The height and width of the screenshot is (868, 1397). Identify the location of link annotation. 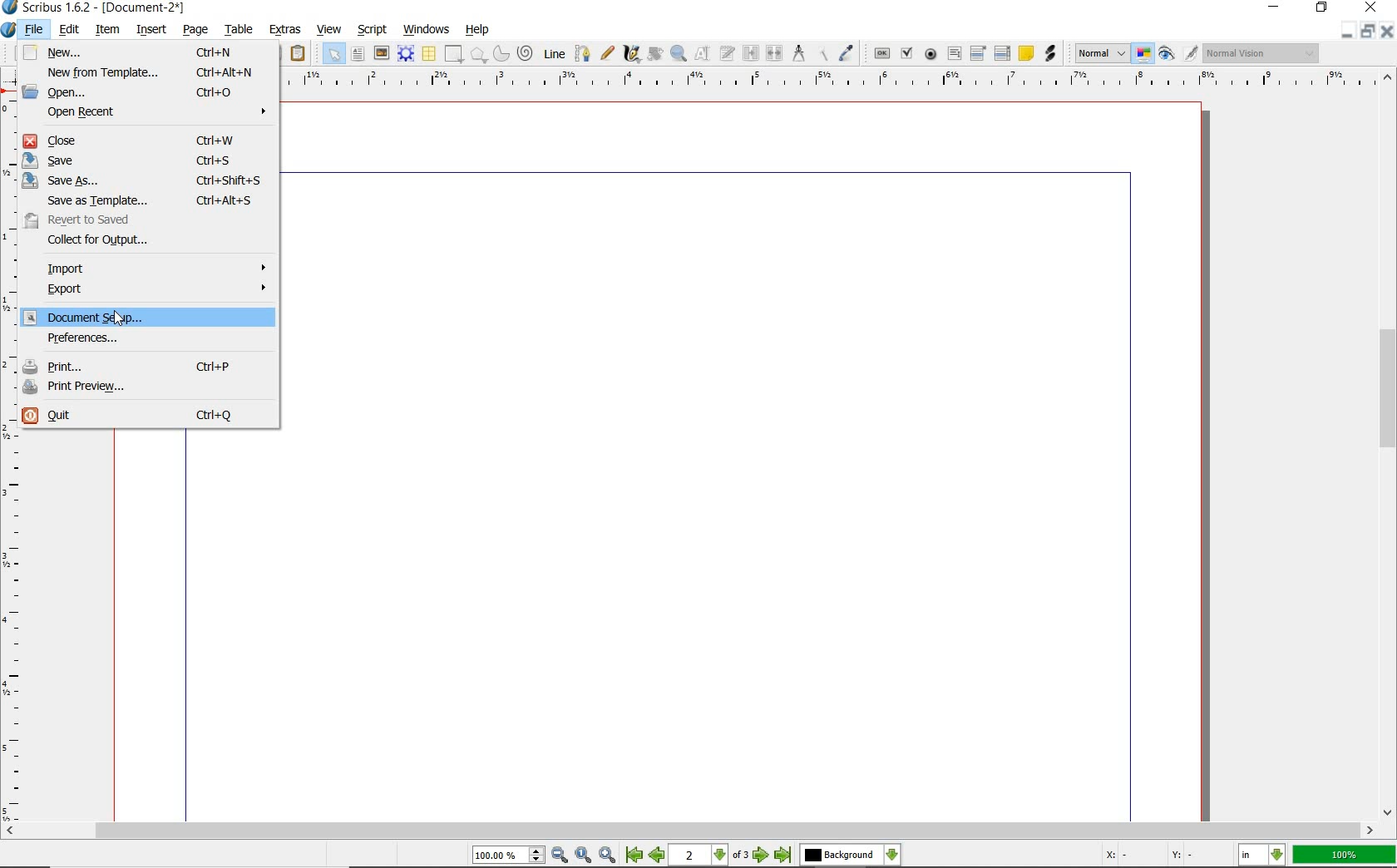
(1051, 54).